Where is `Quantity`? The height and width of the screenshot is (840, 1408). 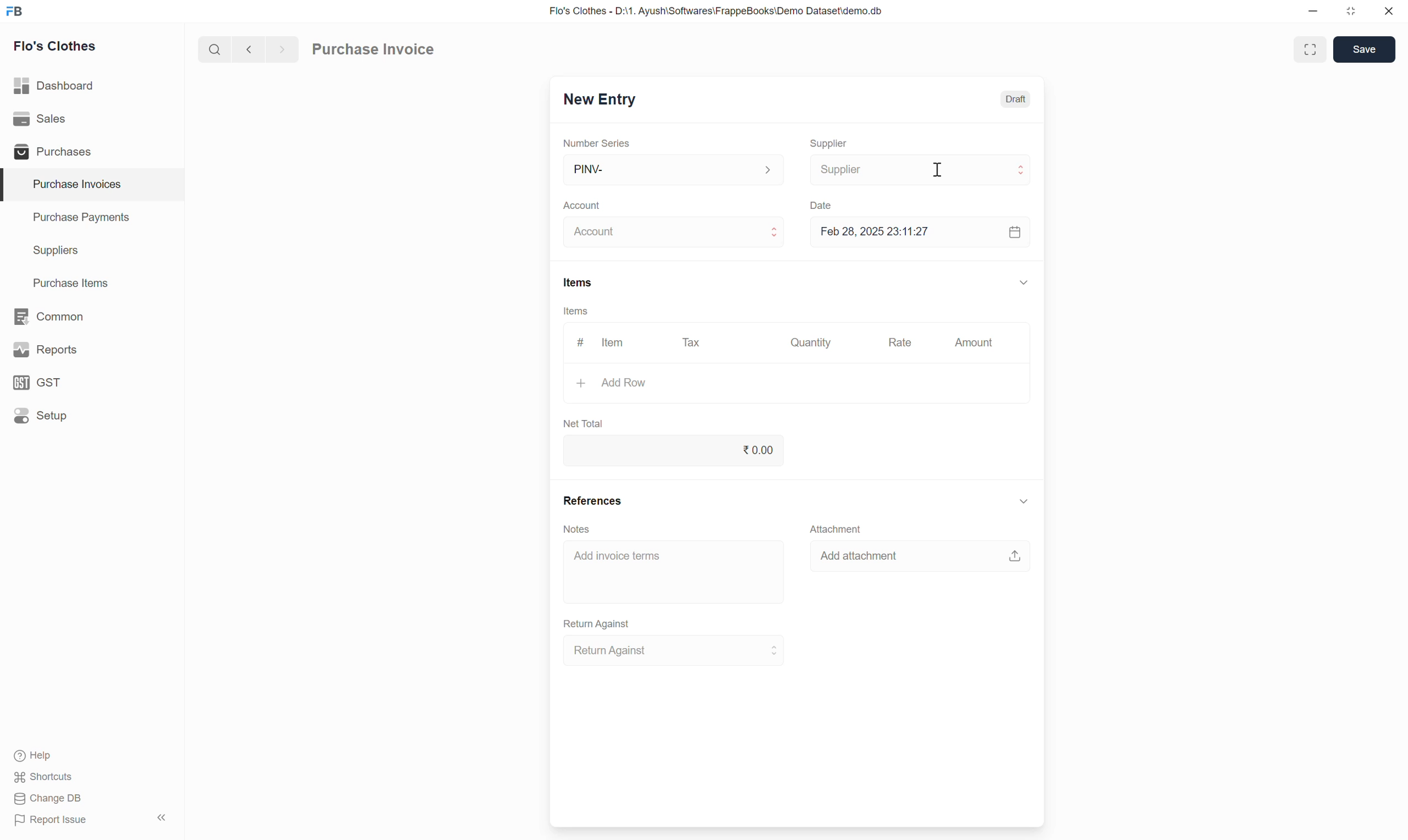
Quantity is located at coordinates (811, 341).